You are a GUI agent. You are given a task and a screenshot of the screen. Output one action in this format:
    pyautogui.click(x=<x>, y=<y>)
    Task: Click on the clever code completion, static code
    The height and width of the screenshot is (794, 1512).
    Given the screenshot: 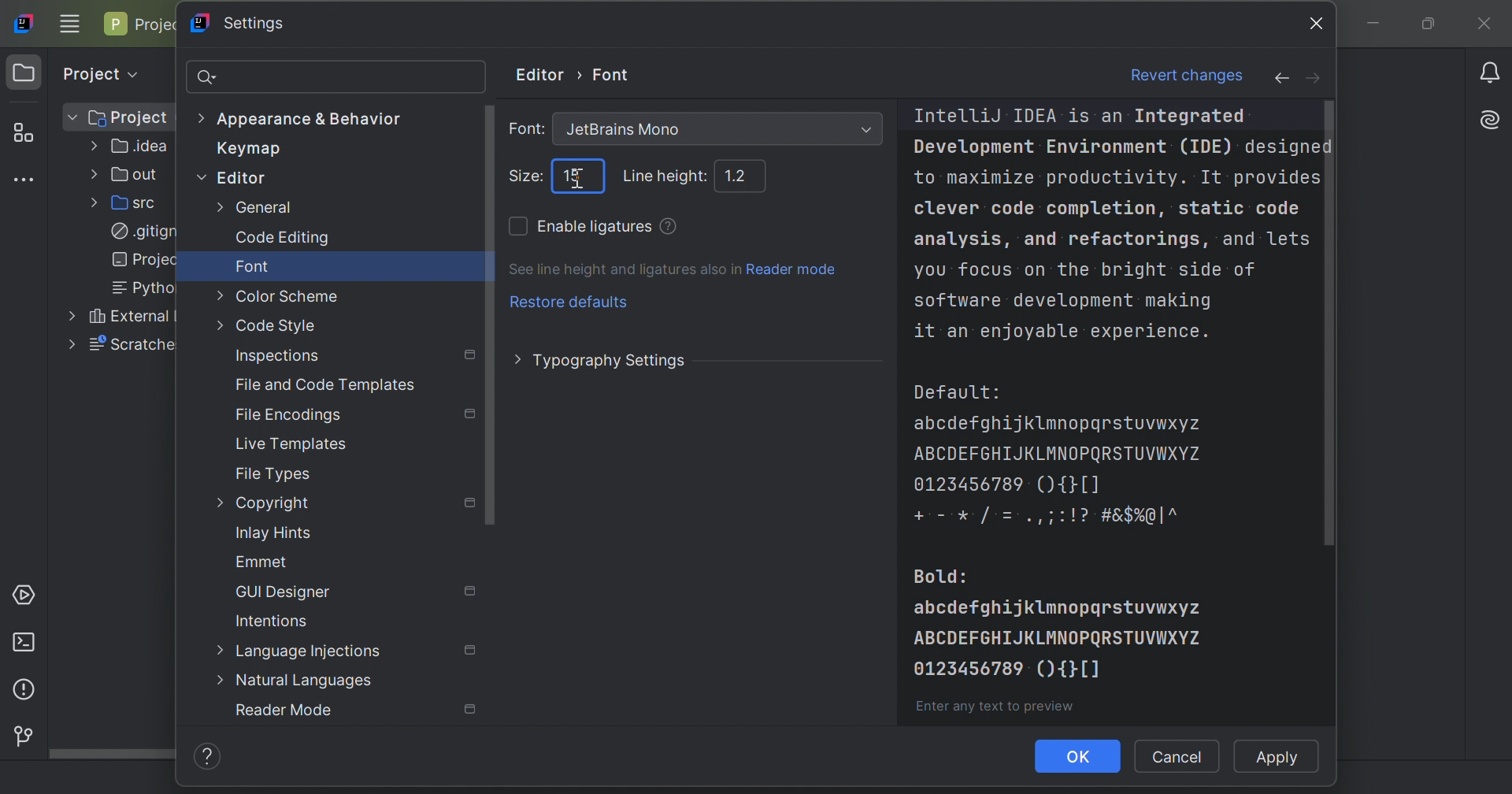 What is the action you would take?
    pyautogui.click(x=1109, y=206)
    